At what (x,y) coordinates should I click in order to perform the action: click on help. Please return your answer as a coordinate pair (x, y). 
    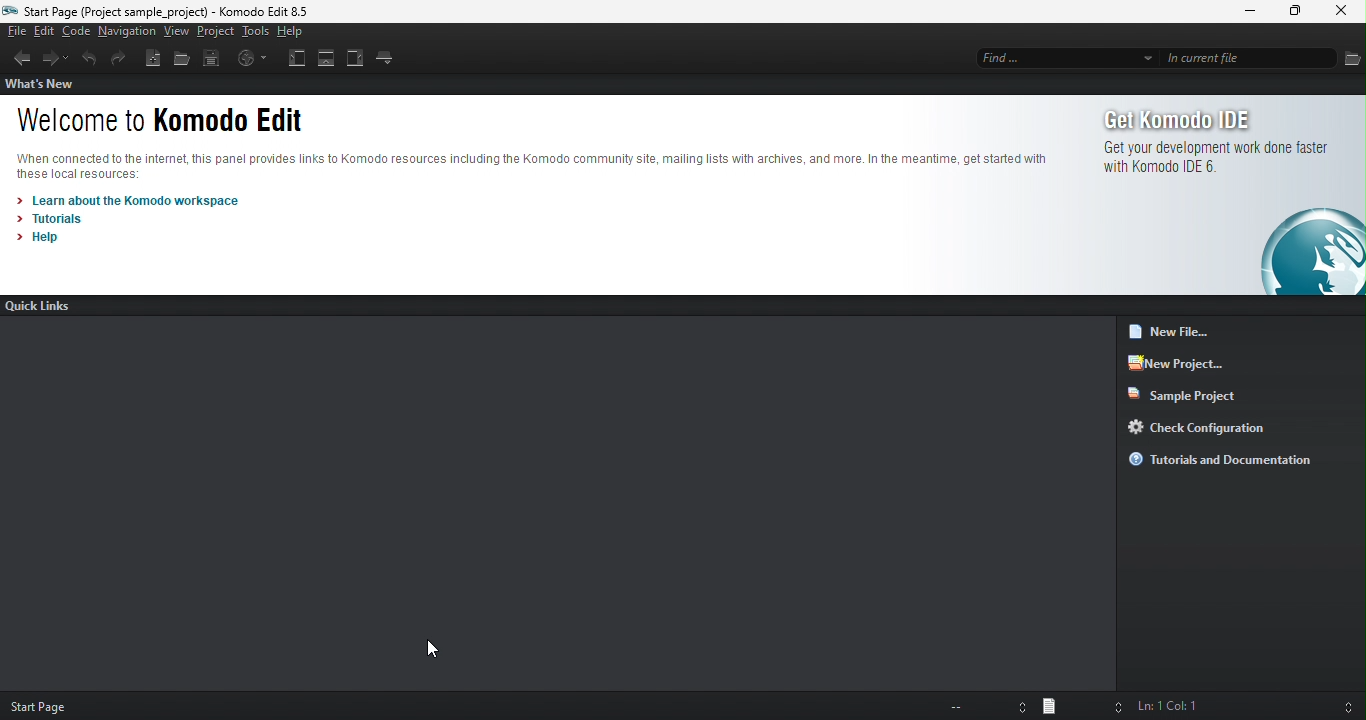
    Looking at the image, I should click on (41, 236).